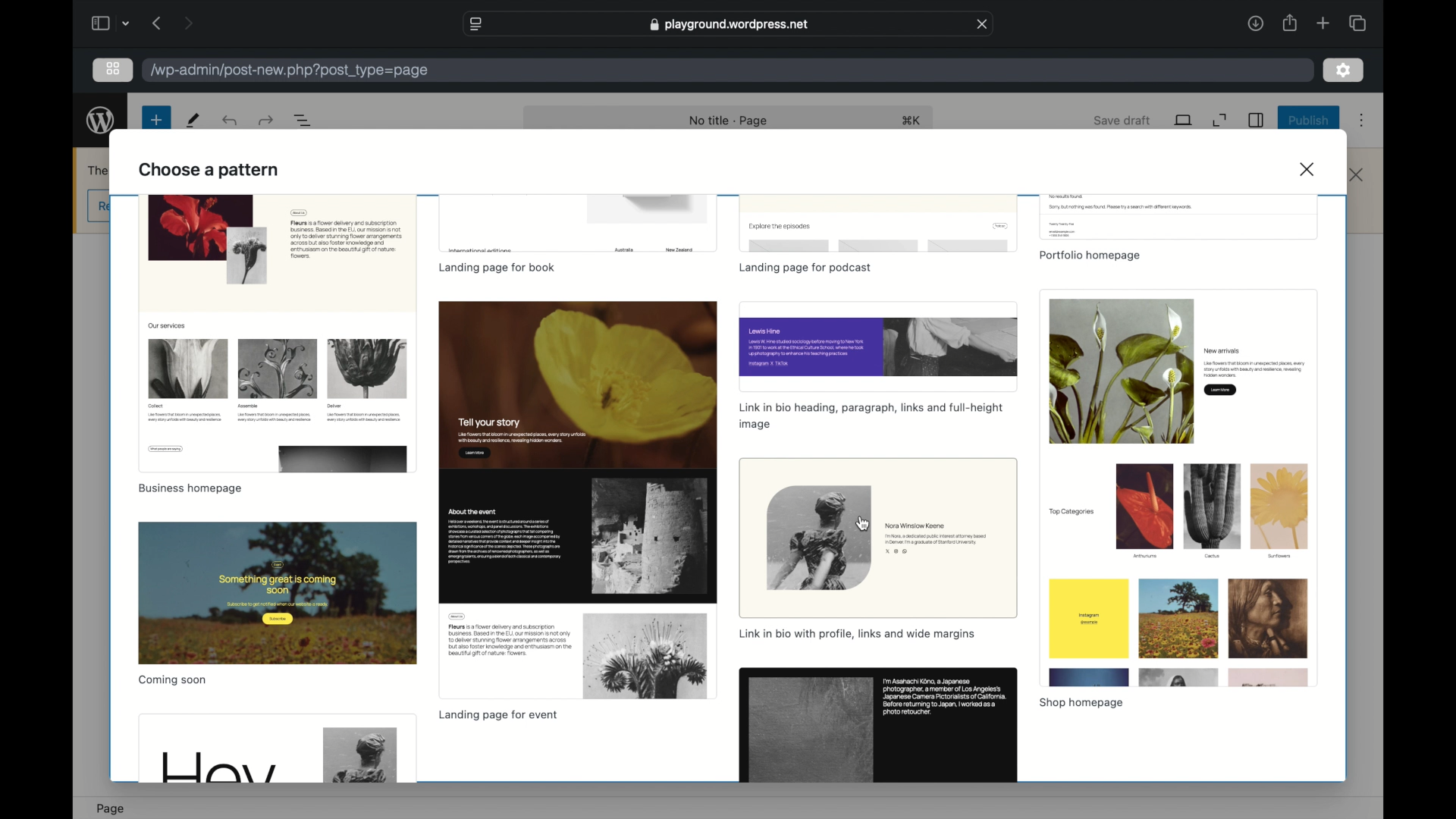 The image size is (1456, 819). What do you see at coordinates (1122, 120) in the screenshot?
I see `save draft` at bounding box center [1122, 120].